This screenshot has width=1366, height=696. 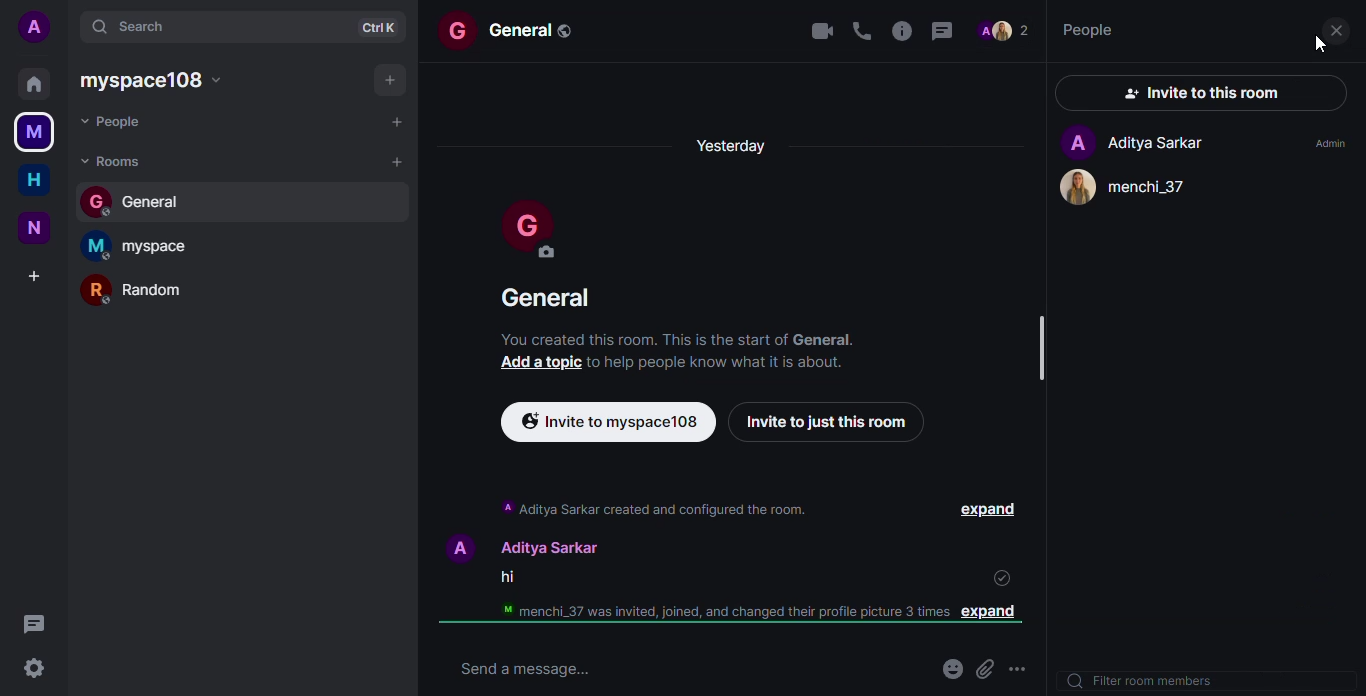 What do you see at coordinates (396, 122) in the screenshot?
I see `add` at bounding box center [396, 122].